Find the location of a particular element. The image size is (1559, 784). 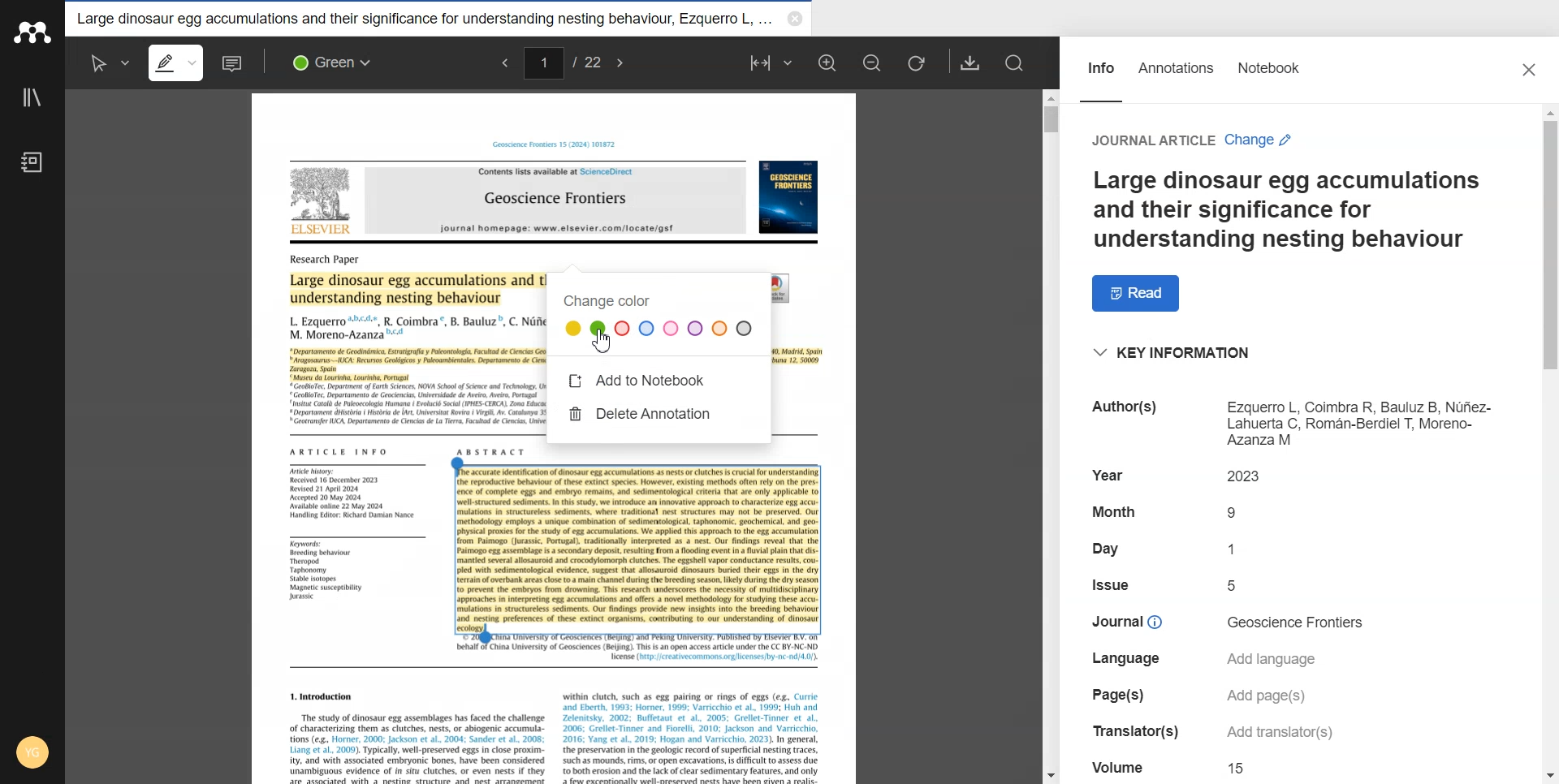

Close is located at coordinates (1531, 71).